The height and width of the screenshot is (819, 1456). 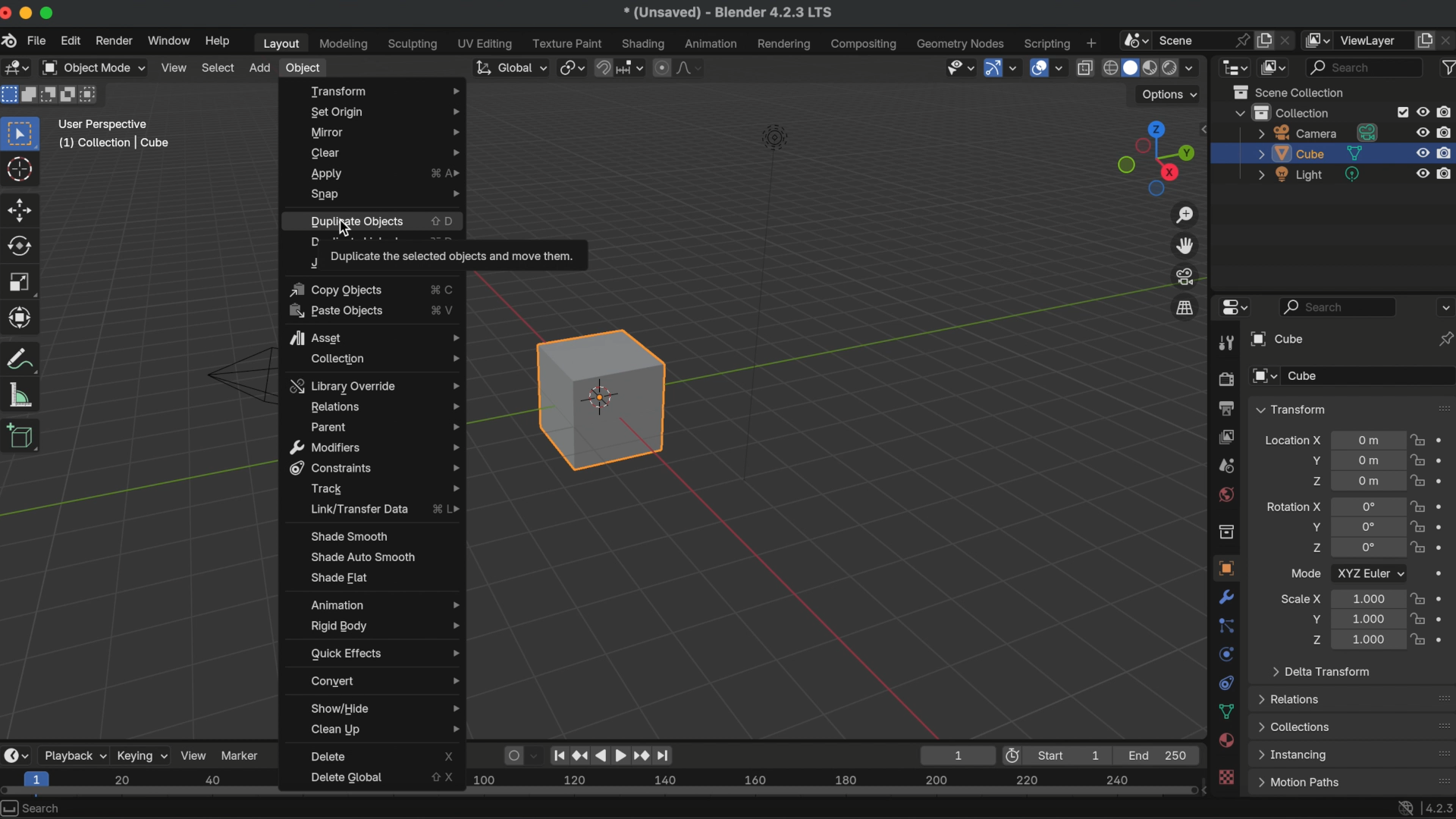 I want to click on rotation Z, so click(x=1316, y=550).